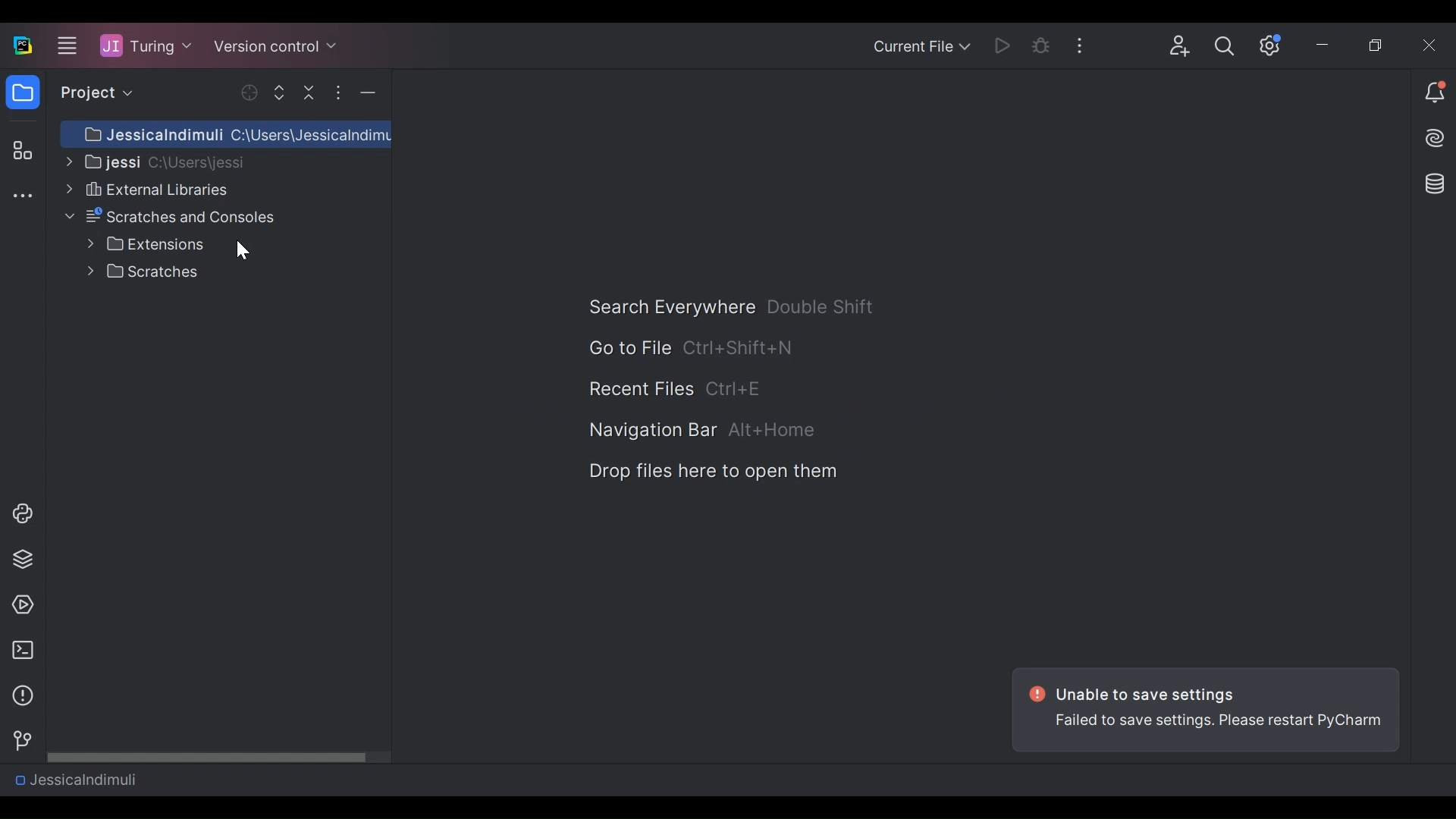  I want to click on Expand Selected, so click(283, 92).